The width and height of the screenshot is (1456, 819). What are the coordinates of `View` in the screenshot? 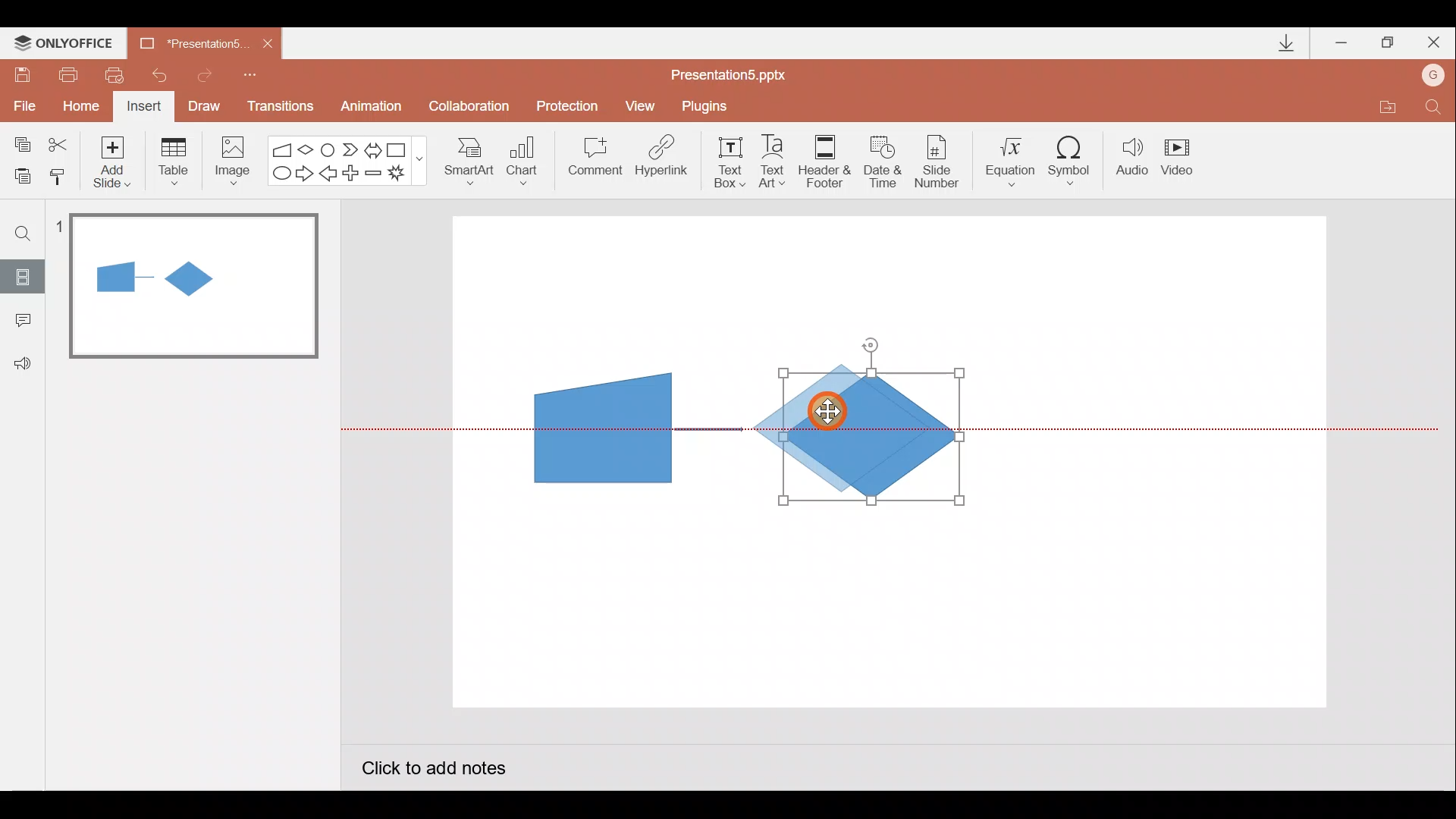 It's located at (642, 105).